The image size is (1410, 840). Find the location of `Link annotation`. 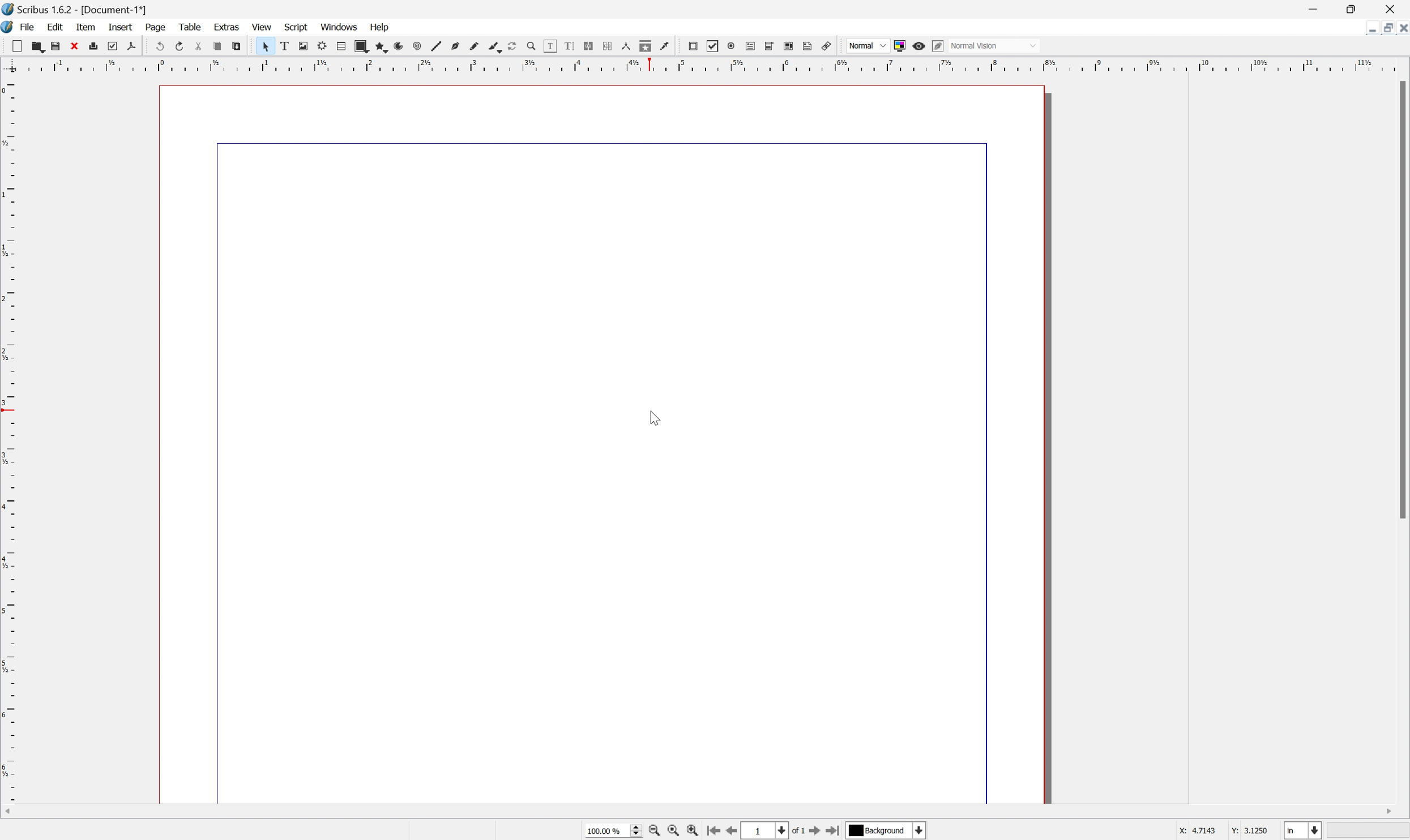

Link annotation is located at coordinates (828, 46).